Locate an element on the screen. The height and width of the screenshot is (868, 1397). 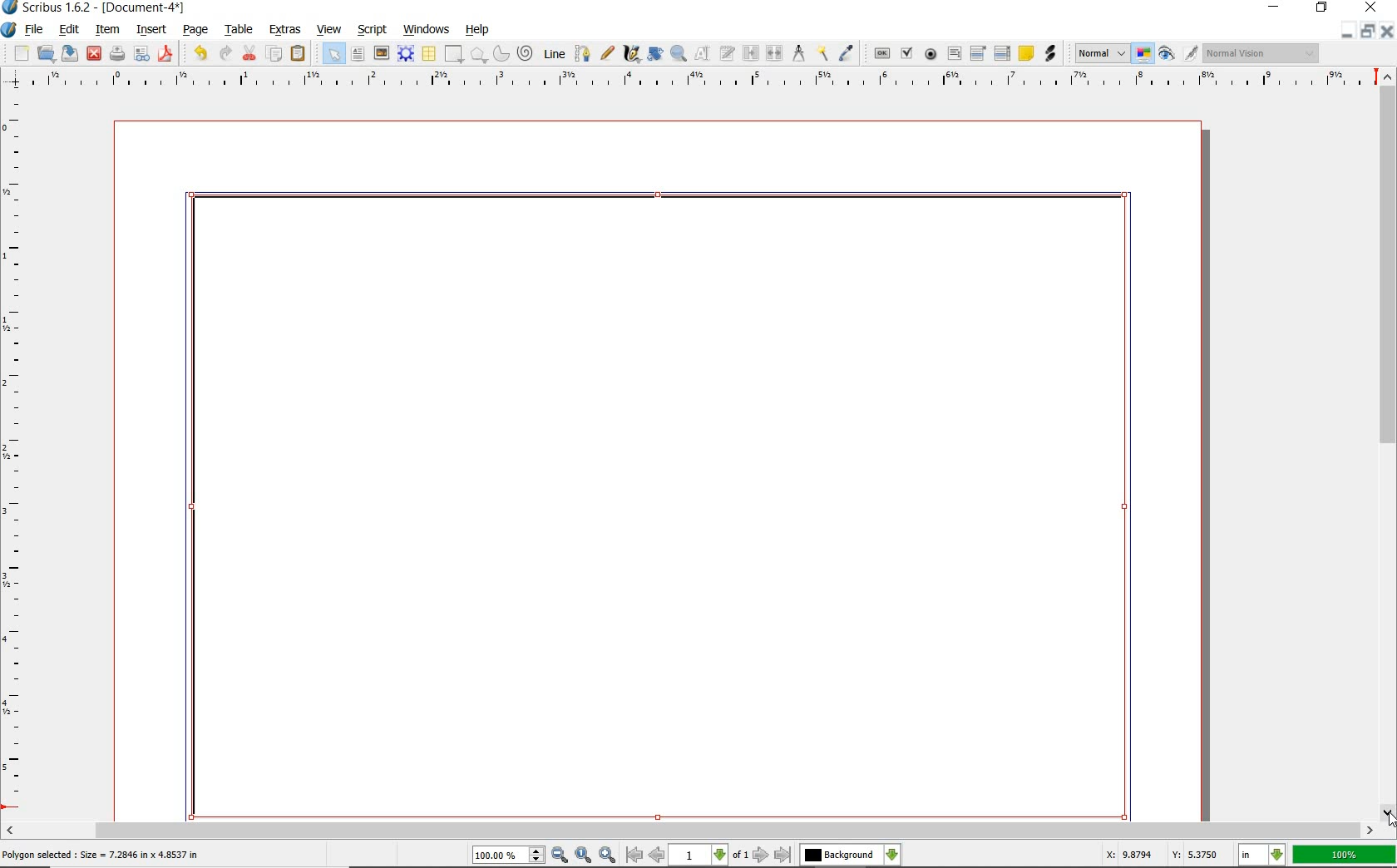
zoom in is located at coordinates (608, 855).